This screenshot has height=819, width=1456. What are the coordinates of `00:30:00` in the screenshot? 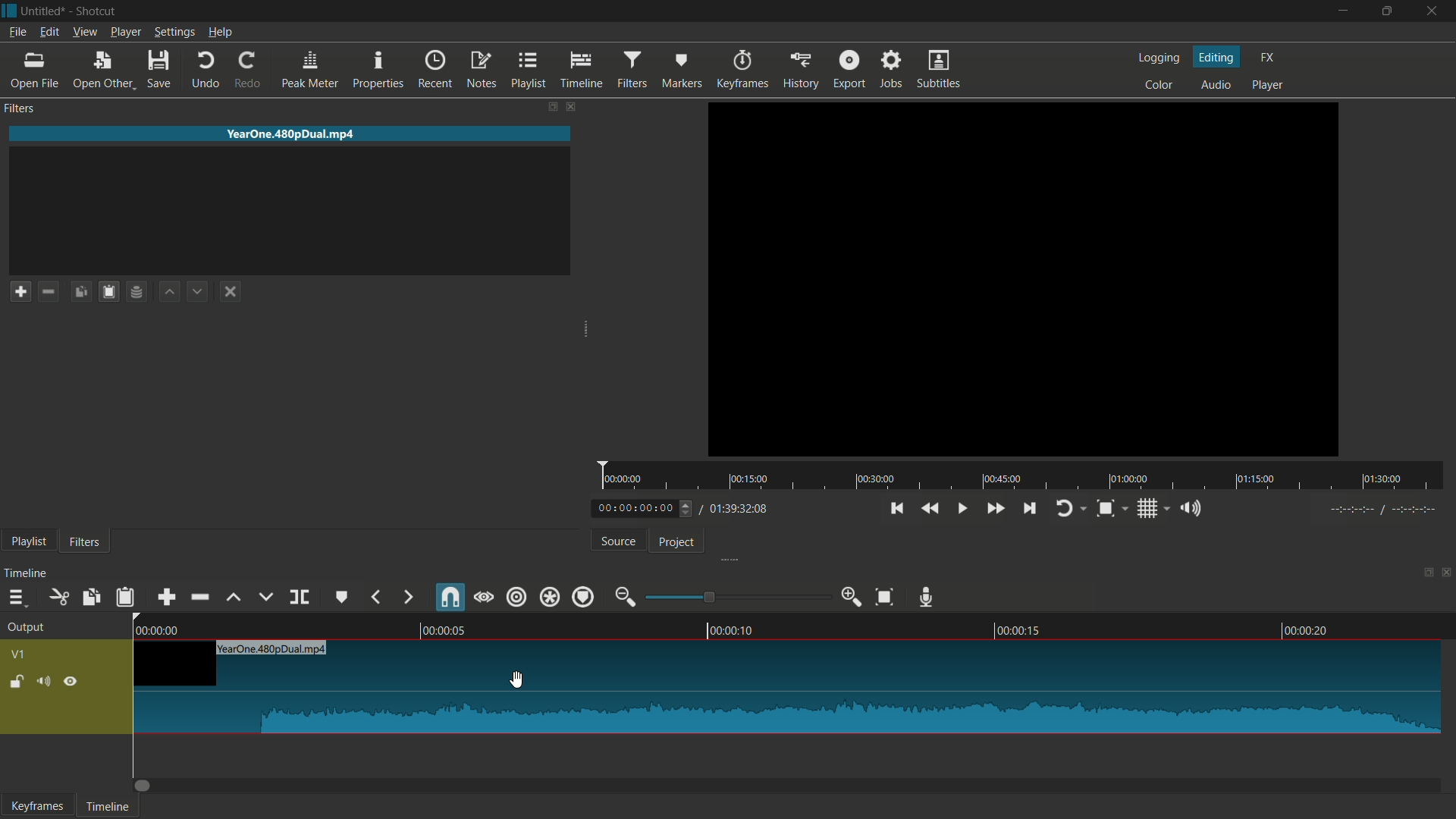 It's located at (876, 479).